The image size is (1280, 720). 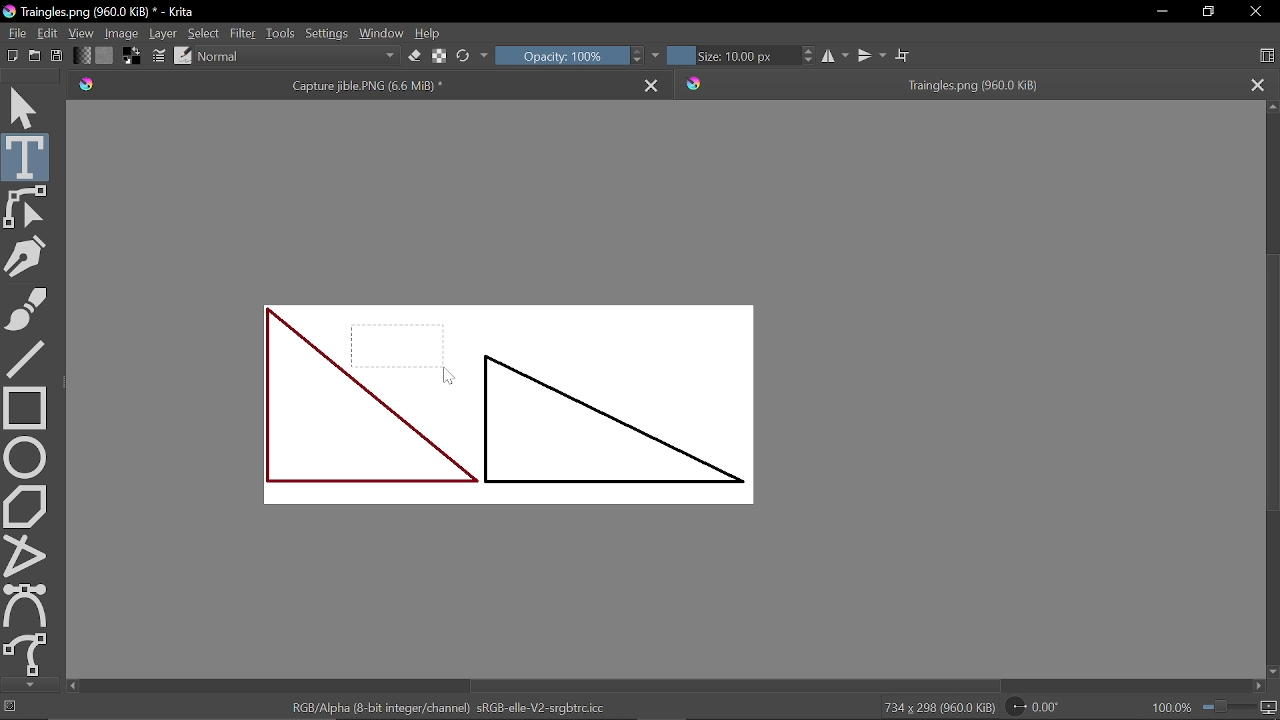 What do you see at coordinates (438, 55) in the screenshot?
I see `Edit brush settings` at bounding box center [438, 55].